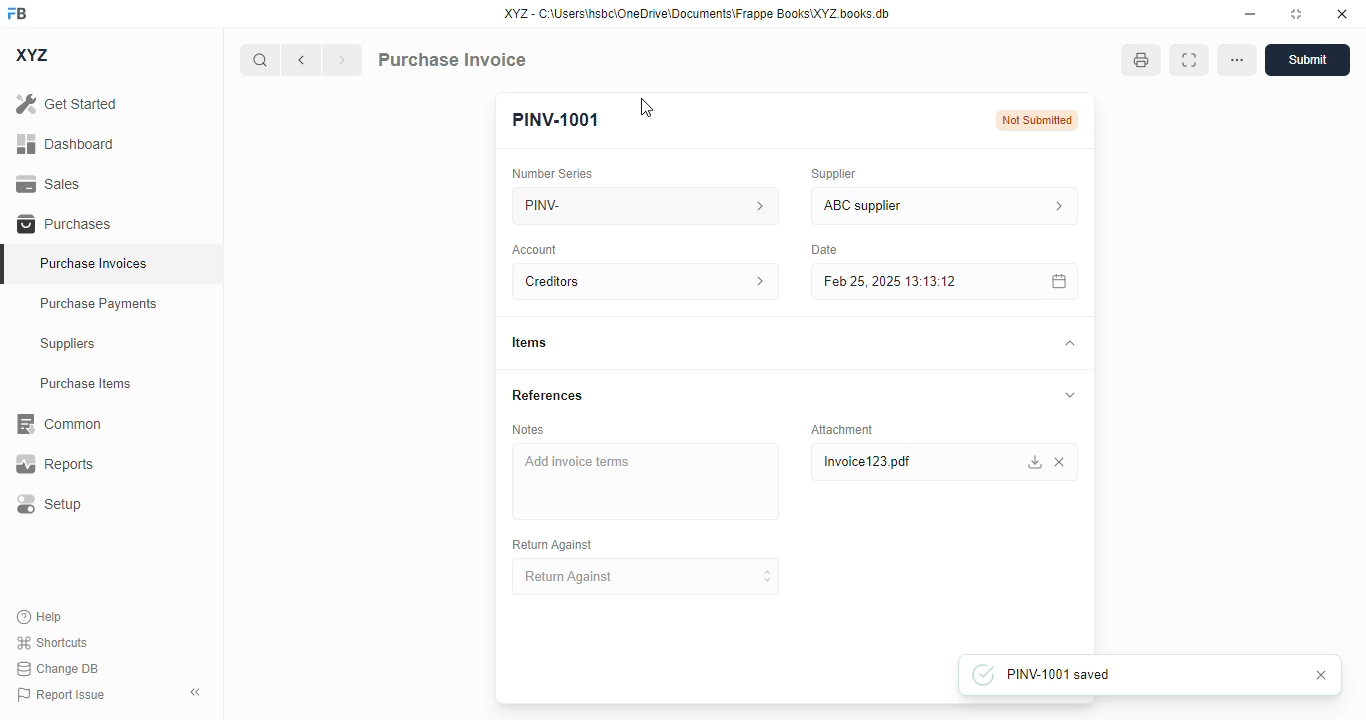 This screenshot has height=720, width=1366. Describe the element at coordinates (829, 173) in the screenshot. I see `supplier` at that location.